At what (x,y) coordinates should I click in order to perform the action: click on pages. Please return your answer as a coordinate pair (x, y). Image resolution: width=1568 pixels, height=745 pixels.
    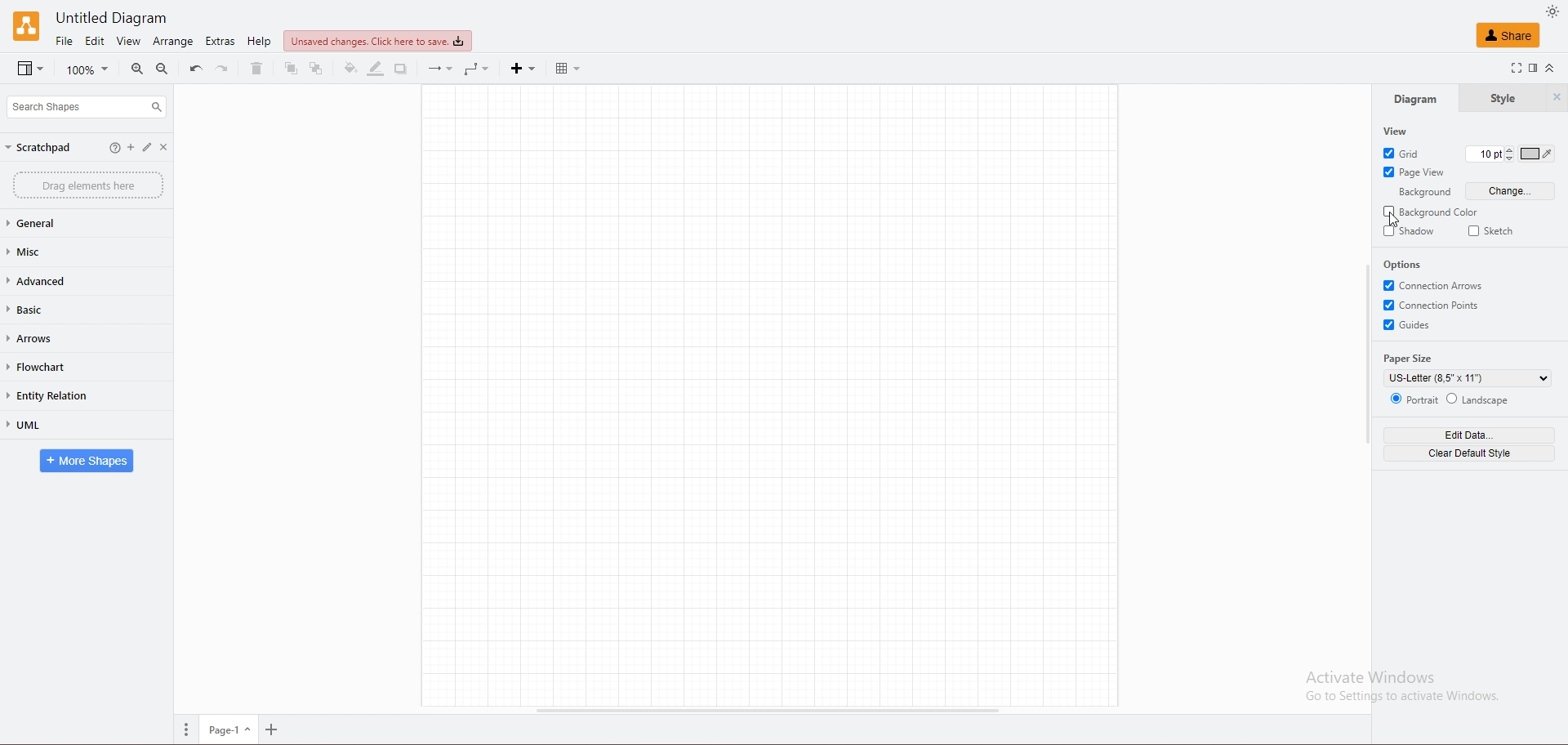
    Looking at the image, I should click on (187, 729).